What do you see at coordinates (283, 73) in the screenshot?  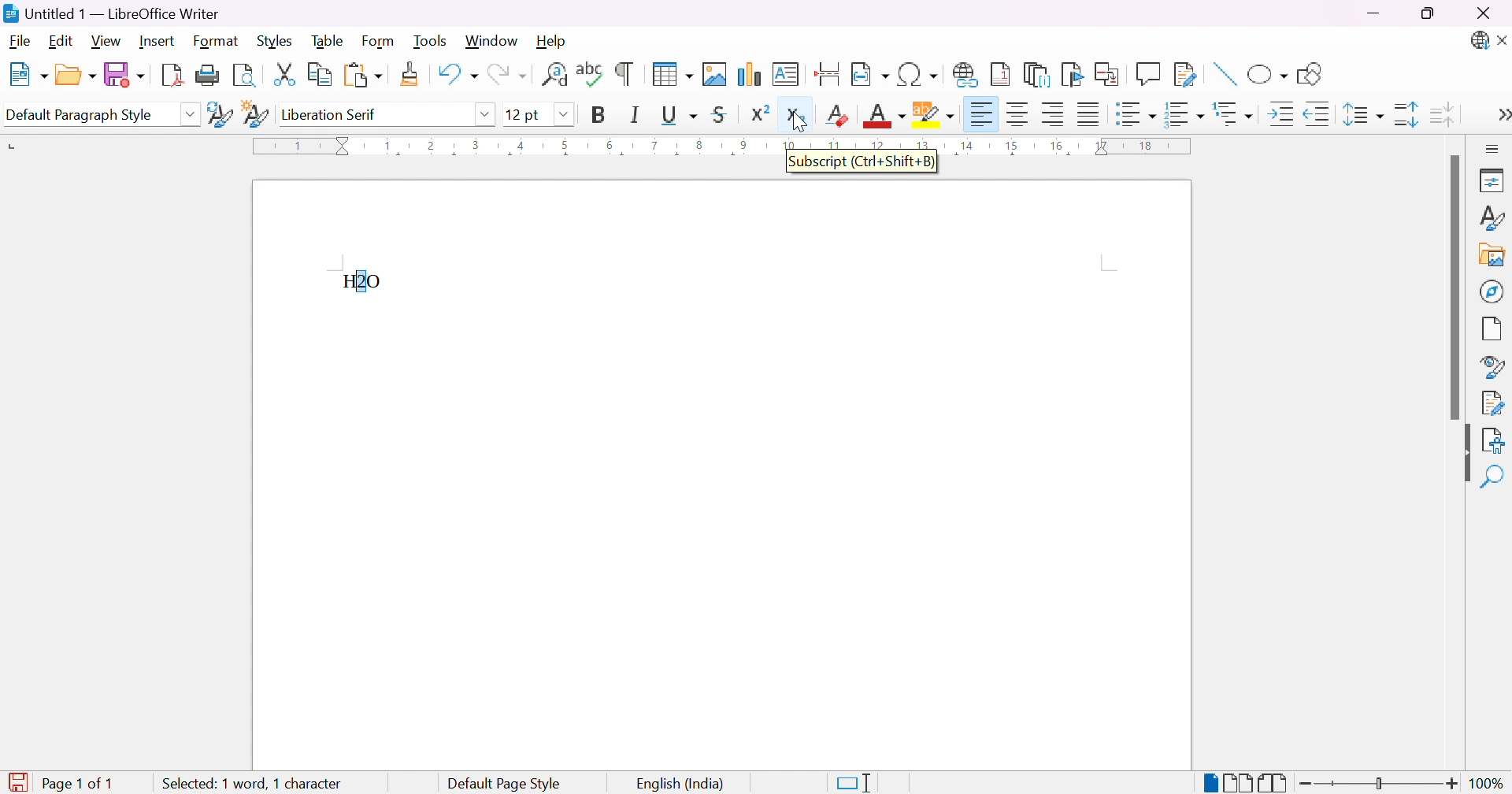 I see `Cut` at bounding box center [283, 73].